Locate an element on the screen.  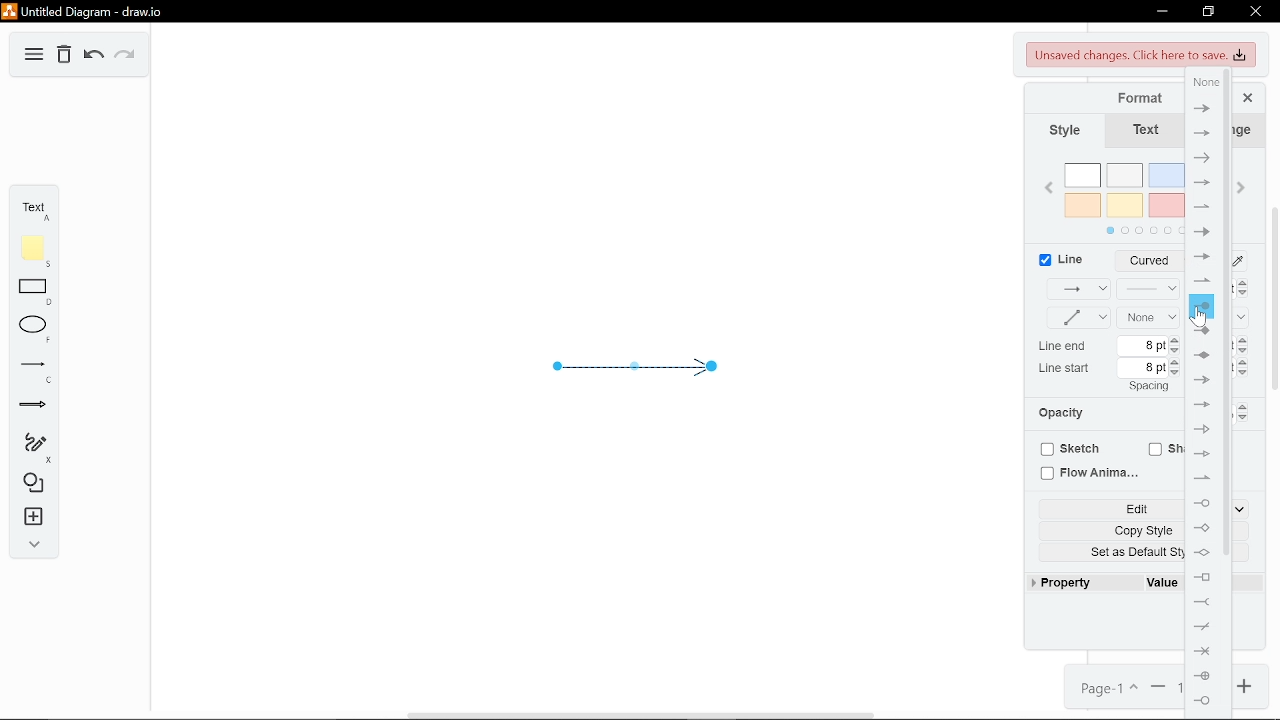
Next is located at coordinates (1241, 189).